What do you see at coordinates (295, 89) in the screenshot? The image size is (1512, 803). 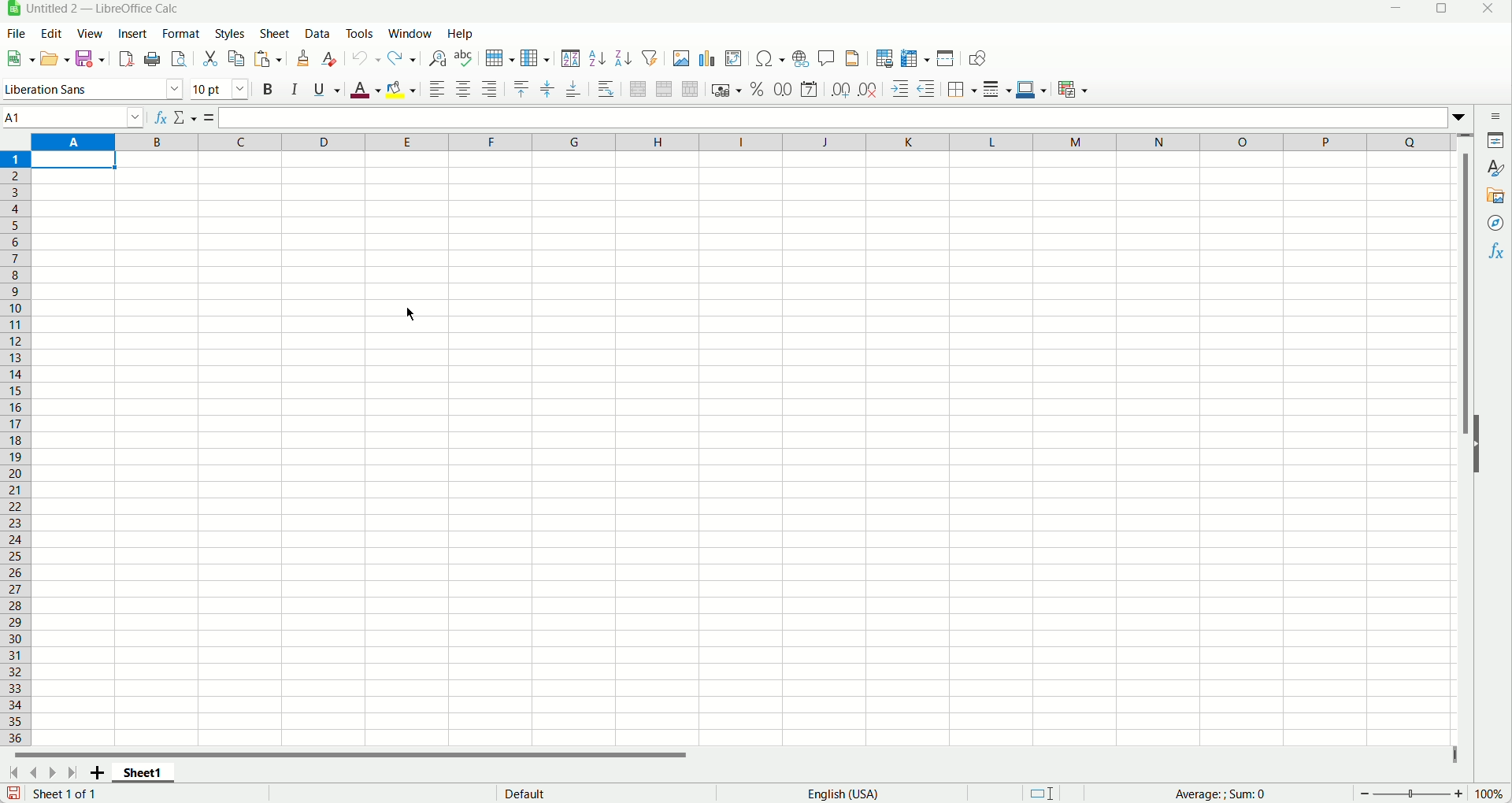 I see `Italic` at bounding box center [295, 89].